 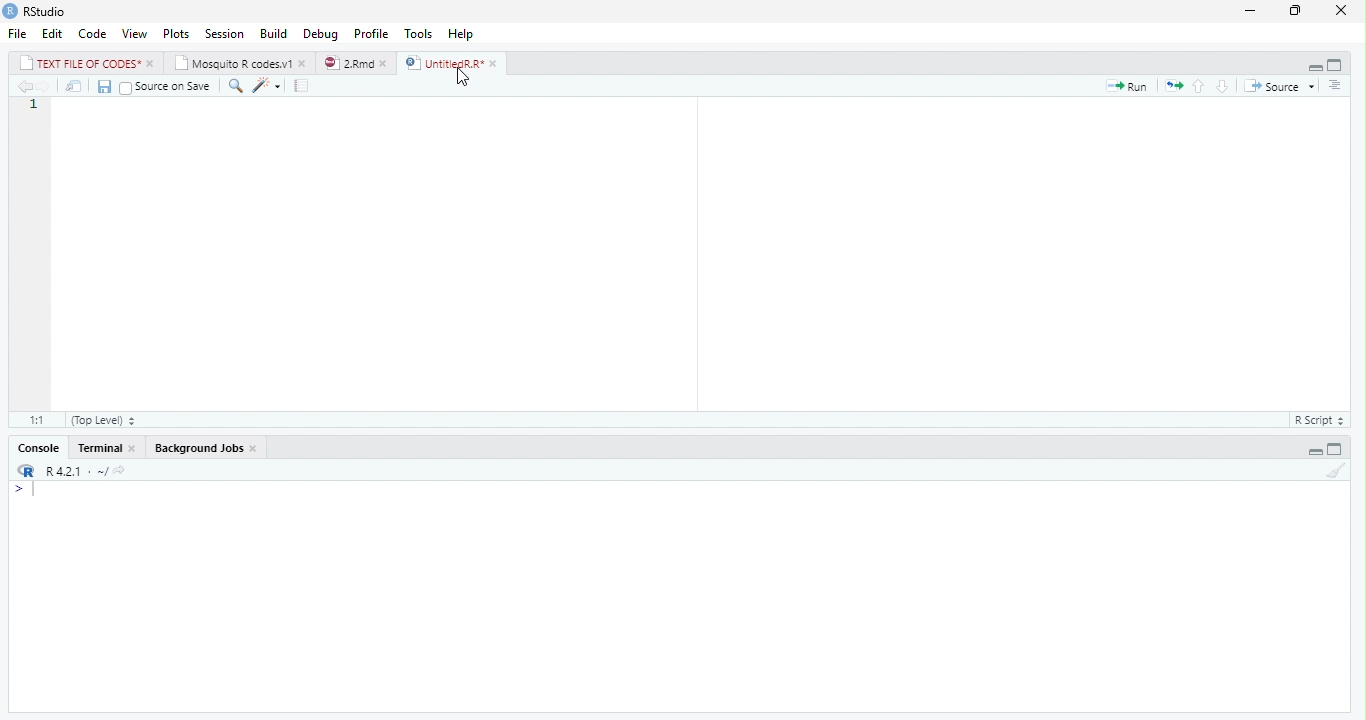 I want to click on Minimize, so click(x=1252, y=10).